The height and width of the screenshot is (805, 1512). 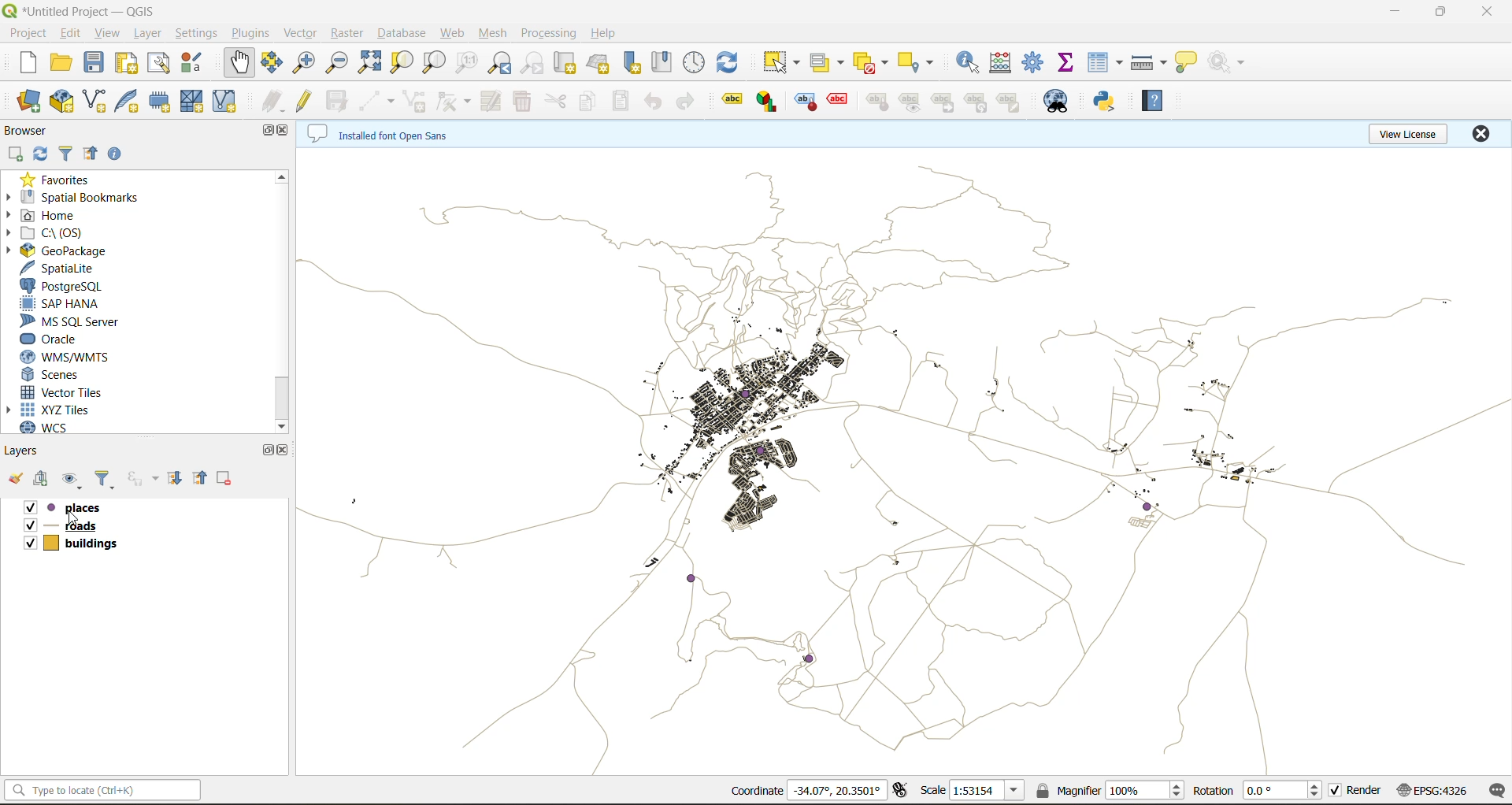 What do you see at coordinates (454, 35) in the screenshot?
I see `web` at bounding box center [454, 35].